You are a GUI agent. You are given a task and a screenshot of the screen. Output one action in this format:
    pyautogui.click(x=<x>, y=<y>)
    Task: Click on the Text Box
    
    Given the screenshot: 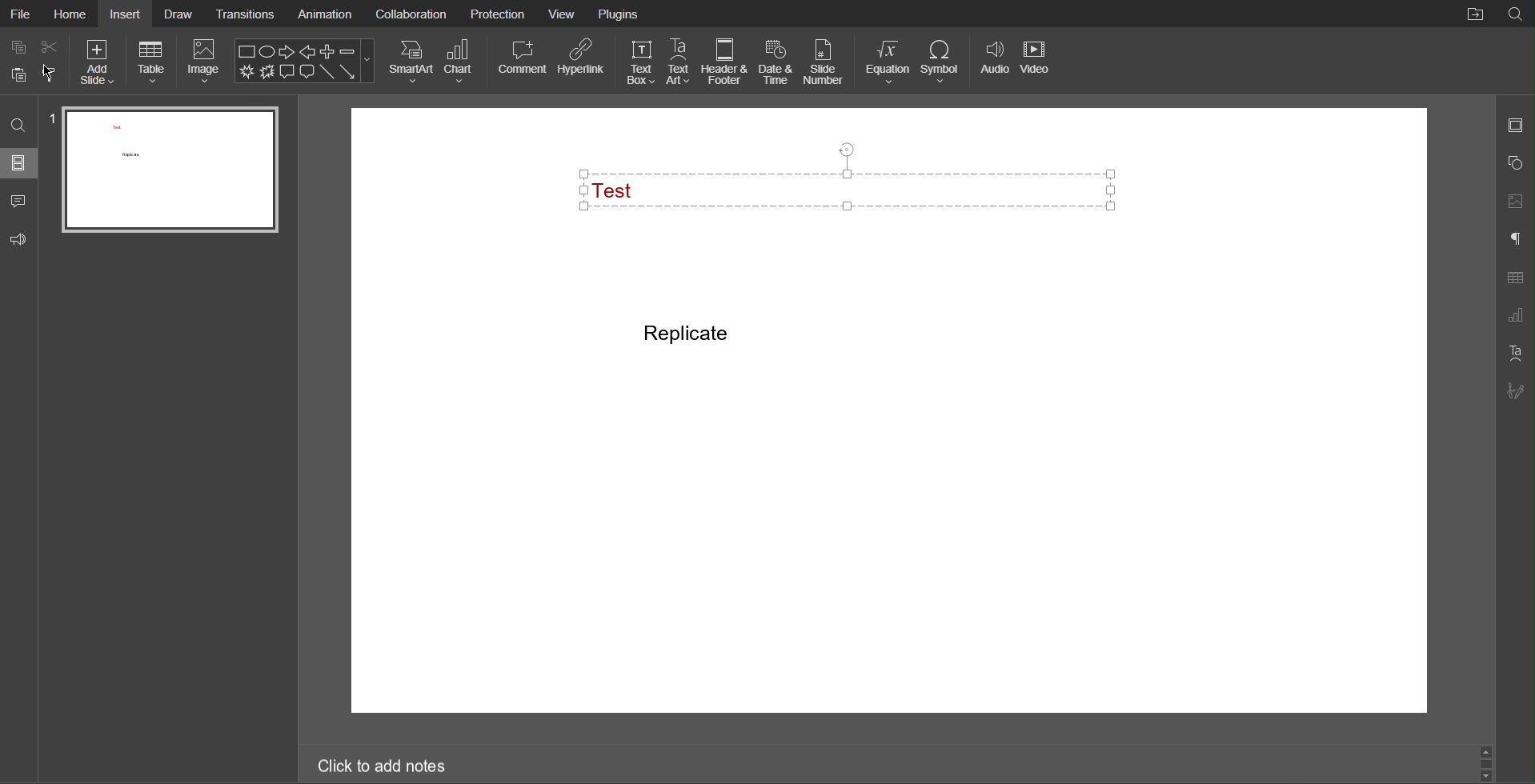 What is the action you would take?
    pyautogui.click(x=856, y=187)
    